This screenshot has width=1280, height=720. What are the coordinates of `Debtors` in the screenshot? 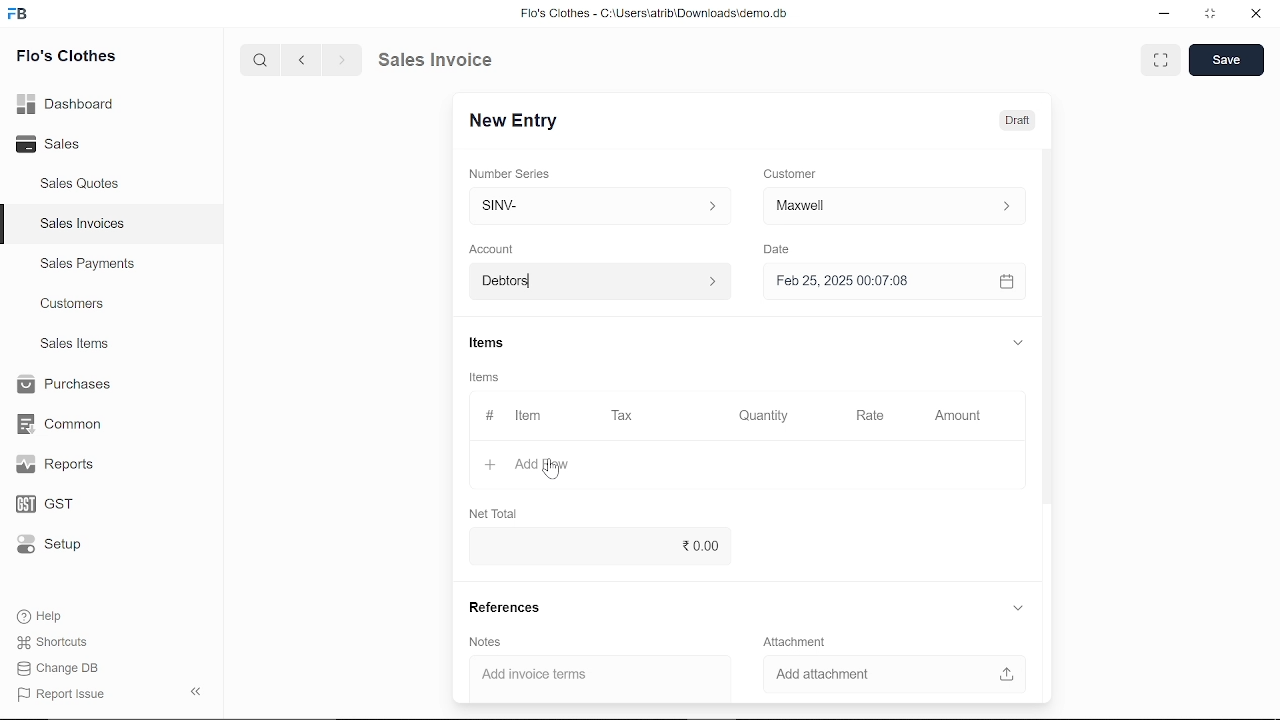 It's located at (596, 281).